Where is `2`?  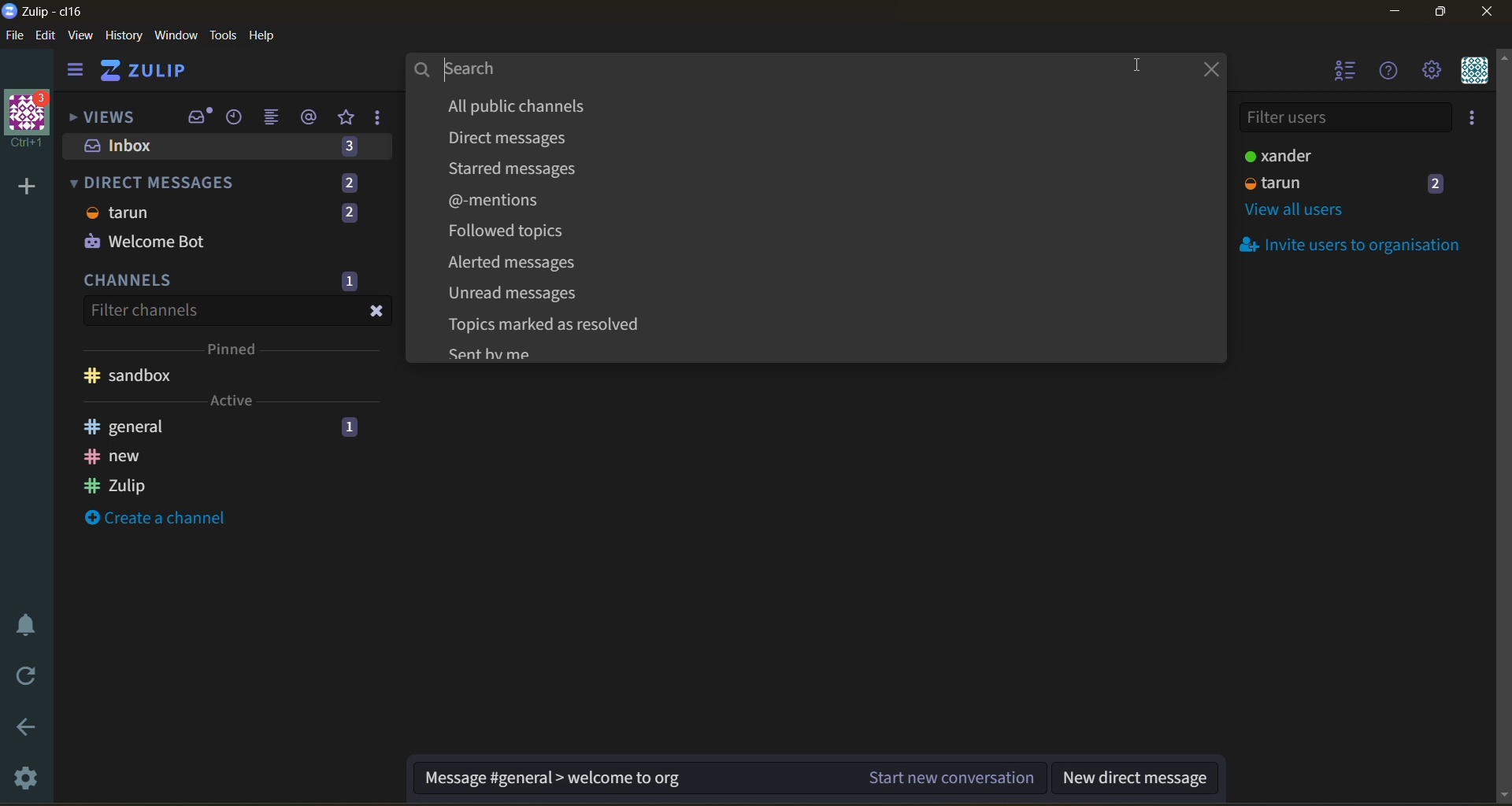 2 is located at coordinates (1438, 183).